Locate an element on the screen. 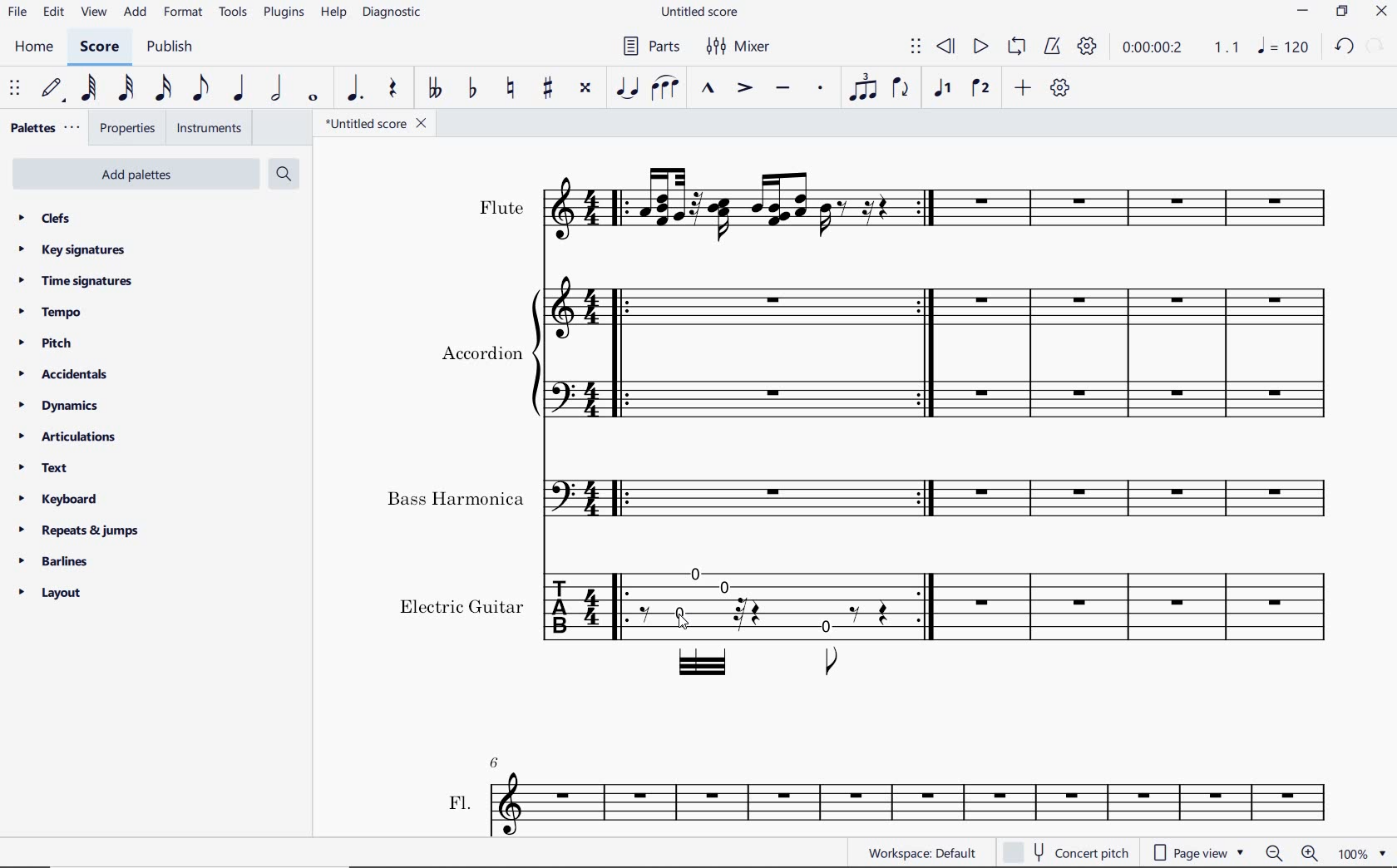  Instrument: Accordion is located at coordinates (884, 356).